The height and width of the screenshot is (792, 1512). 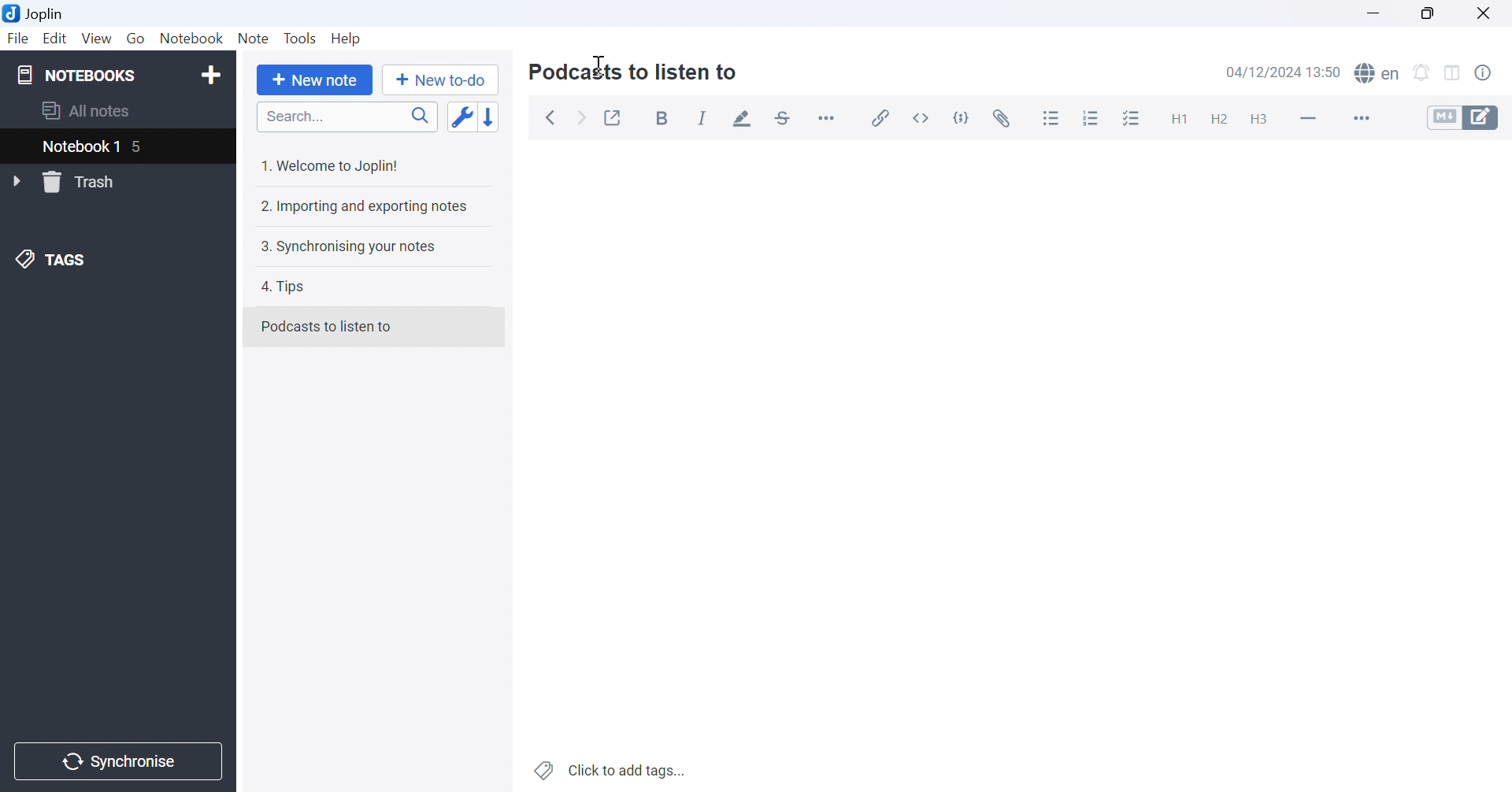 What do you see at coordinates (18, 182) in the screenshot?
I see `Drop Down` at bounding box center [18, 182].